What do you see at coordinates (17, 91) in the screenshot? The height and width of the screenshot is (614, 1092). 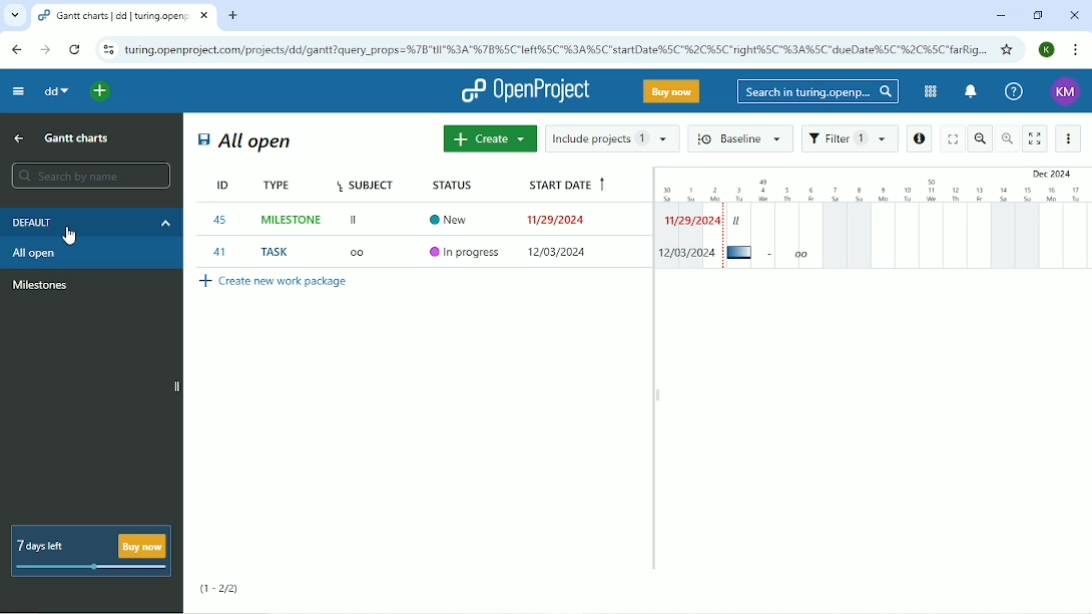 I see `Collapse project menu` at bounding box center [17, 91].